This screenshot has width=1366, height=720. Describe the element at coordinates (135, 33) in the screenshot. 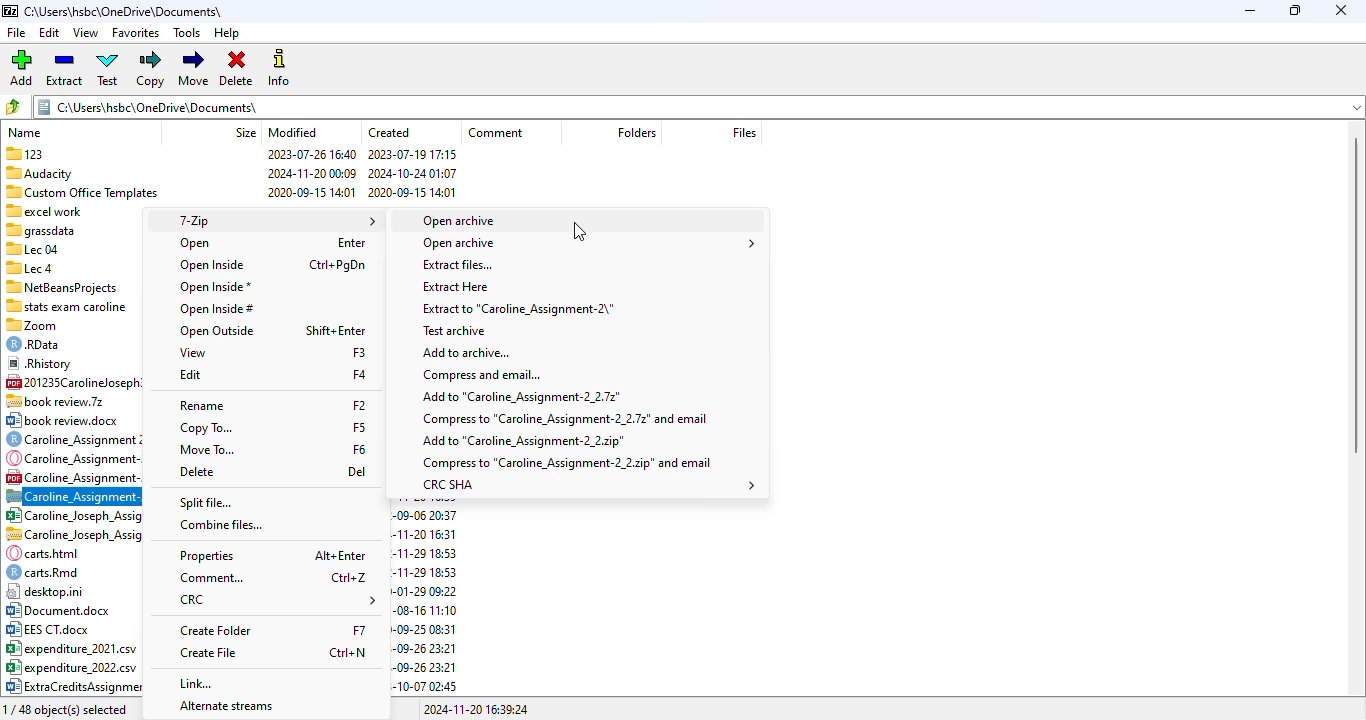

I see `favorites` at that location.